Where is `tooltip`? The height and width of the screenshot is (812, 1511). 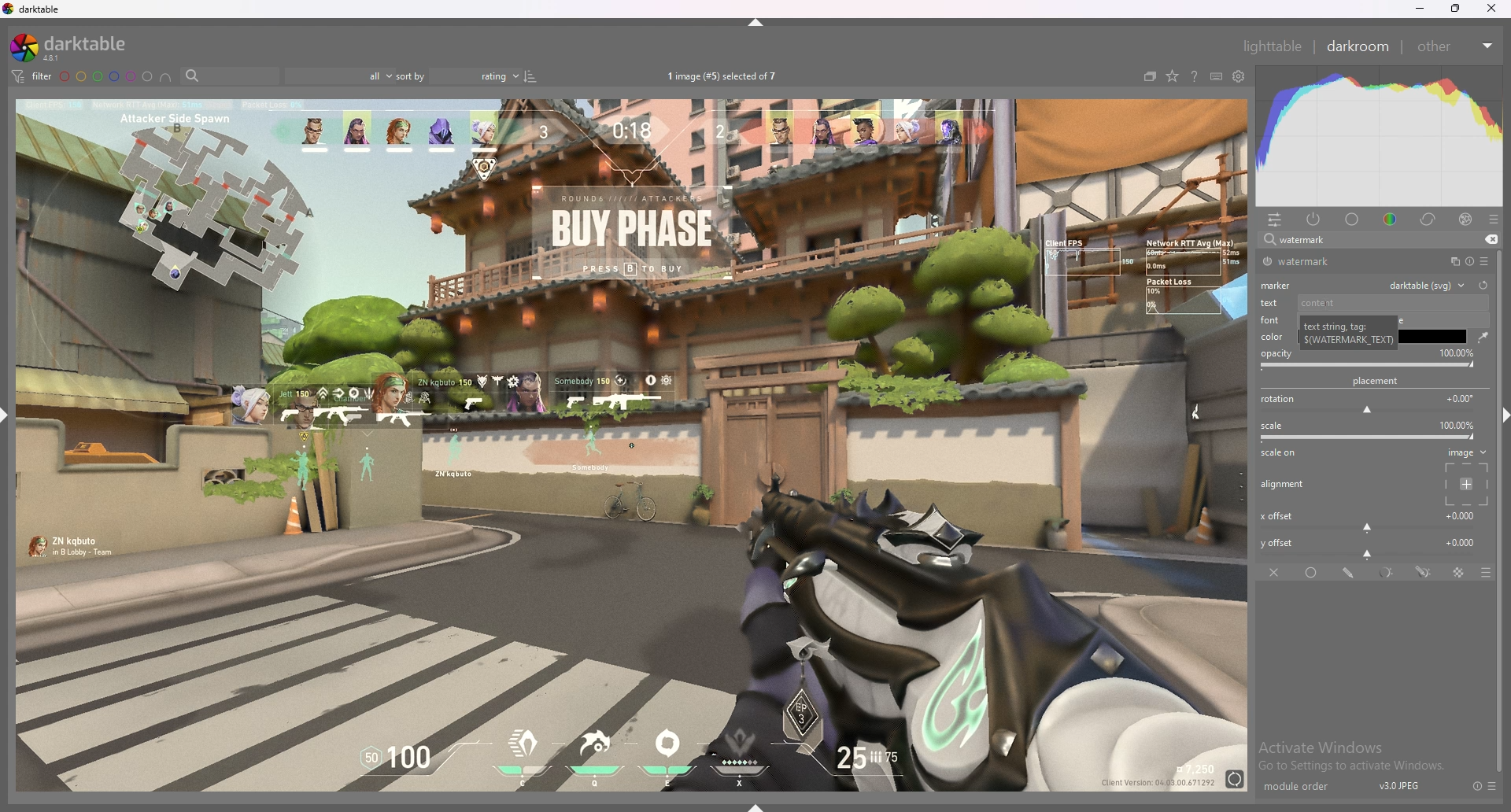 tooltip is located at coordinates (1350, 328).